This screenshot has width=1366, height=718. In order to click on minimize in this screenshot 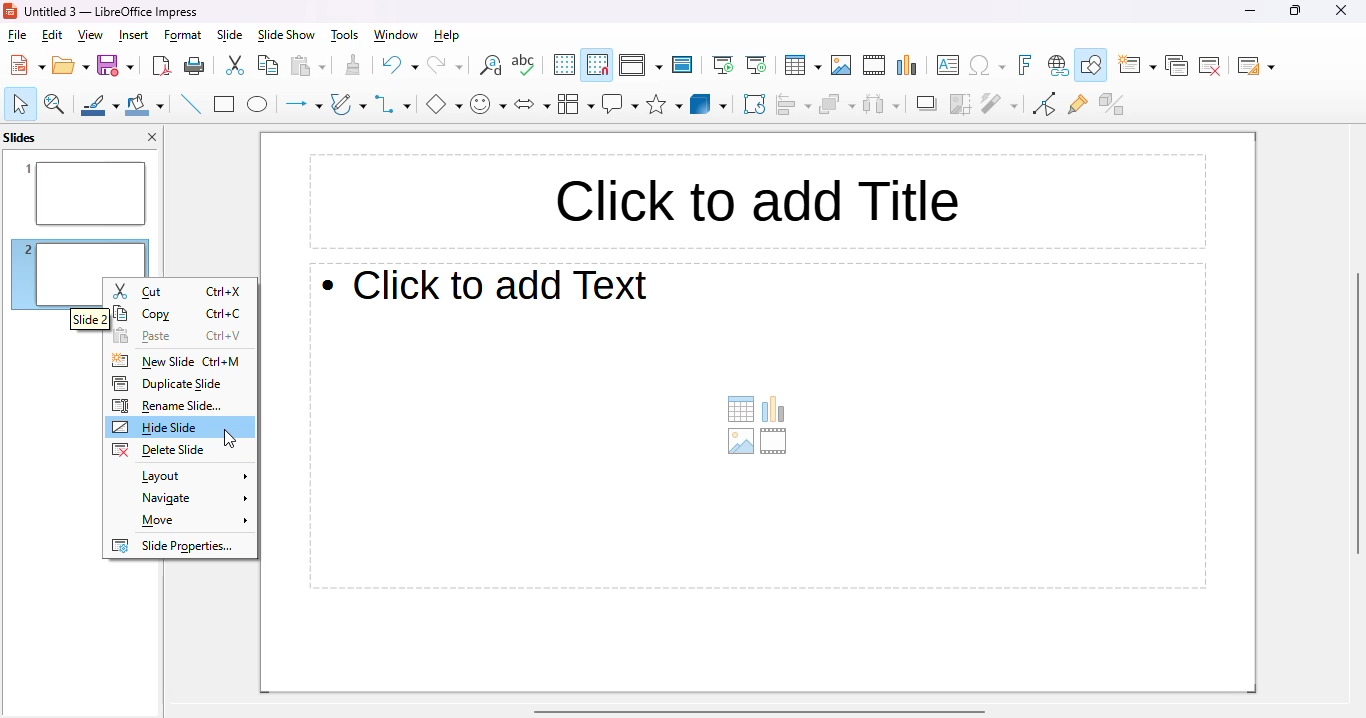, I will do `click(1250, 10)`.